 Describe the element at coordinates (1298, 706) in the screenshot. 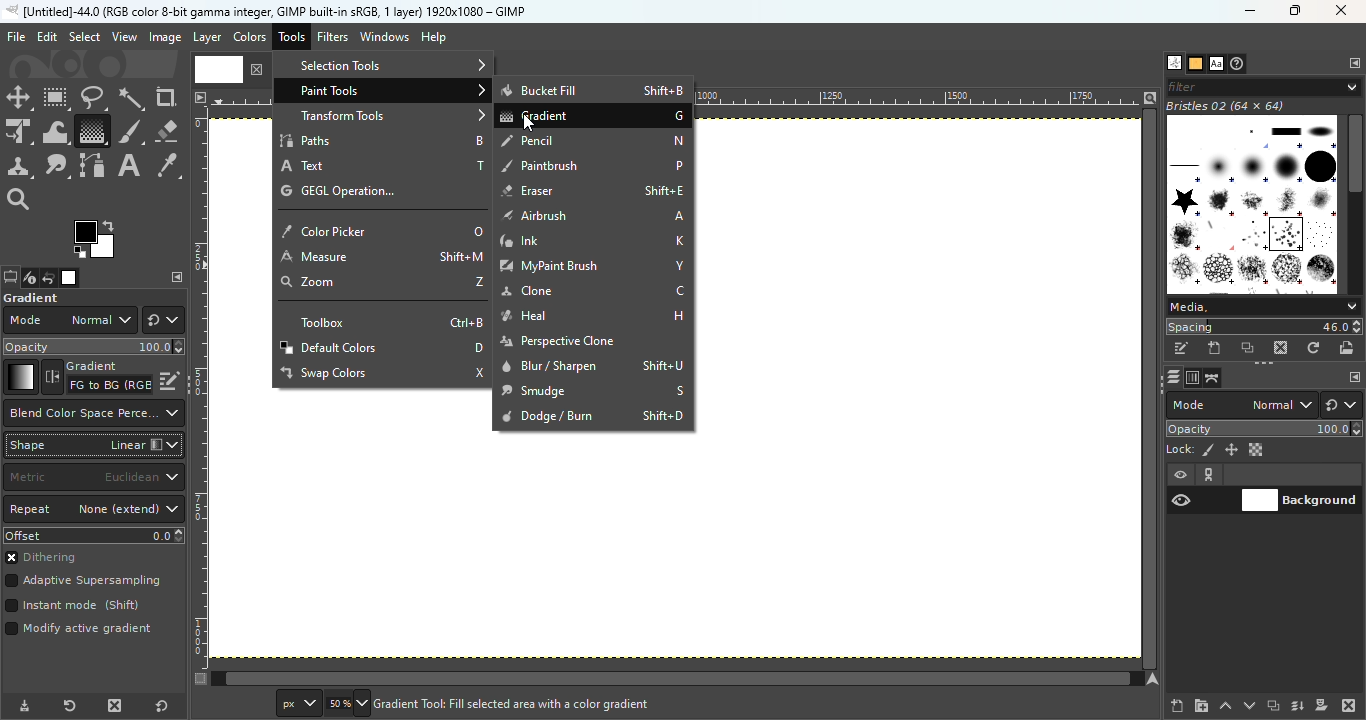

I see `Merge this layer with the first visible layer below it` at that location.